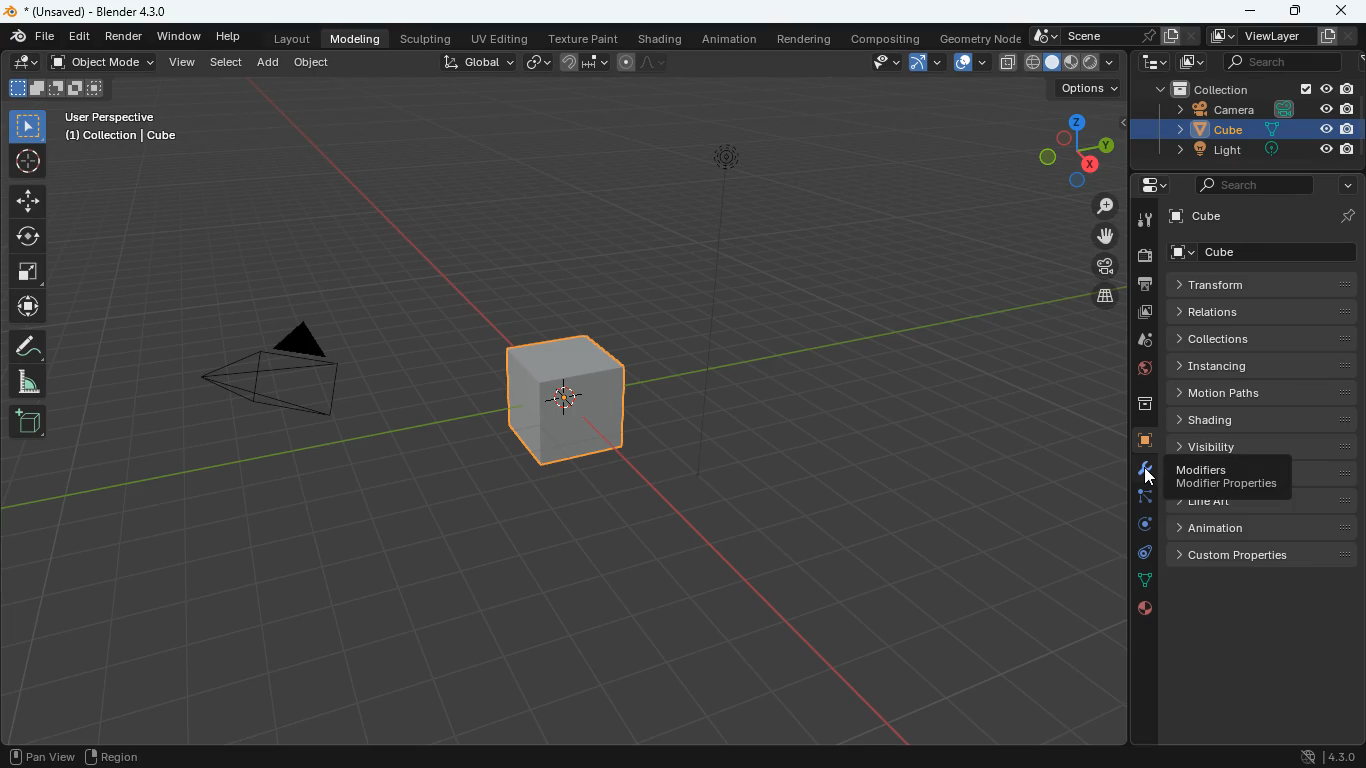  What do you see at coordinates (581, 37) in the screenshot?
I see `texture paint` at bounding box center [581, 37].